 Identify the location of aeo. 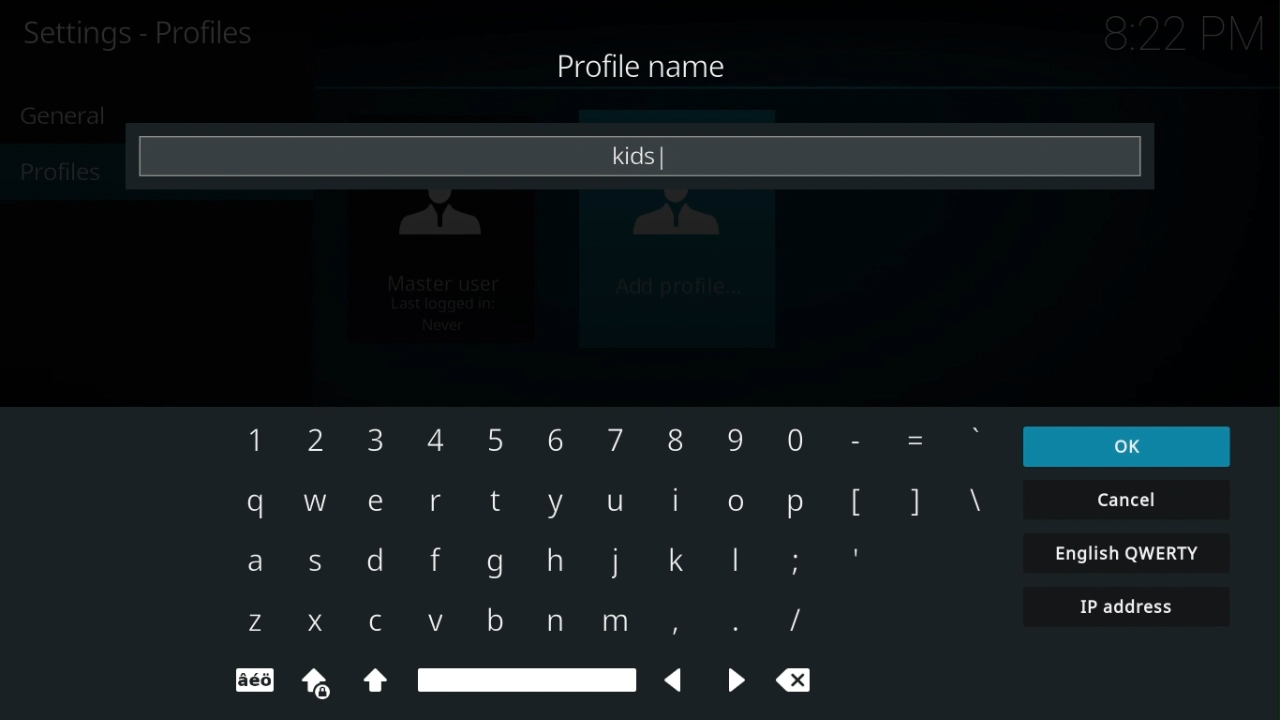
(251, 682).